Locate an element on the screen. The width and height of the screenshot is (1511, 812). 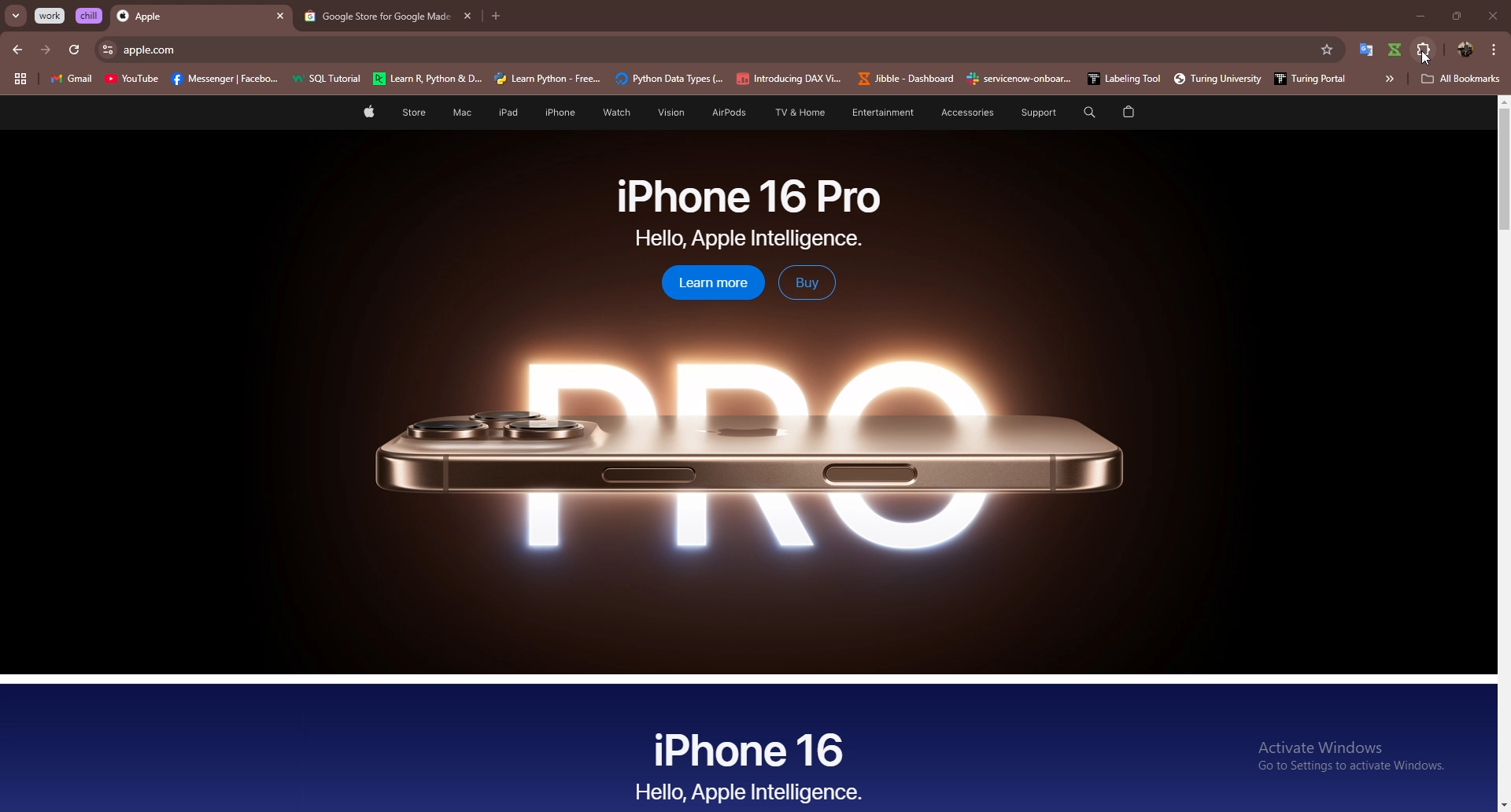
Vision is located at coordinates (666, 113).